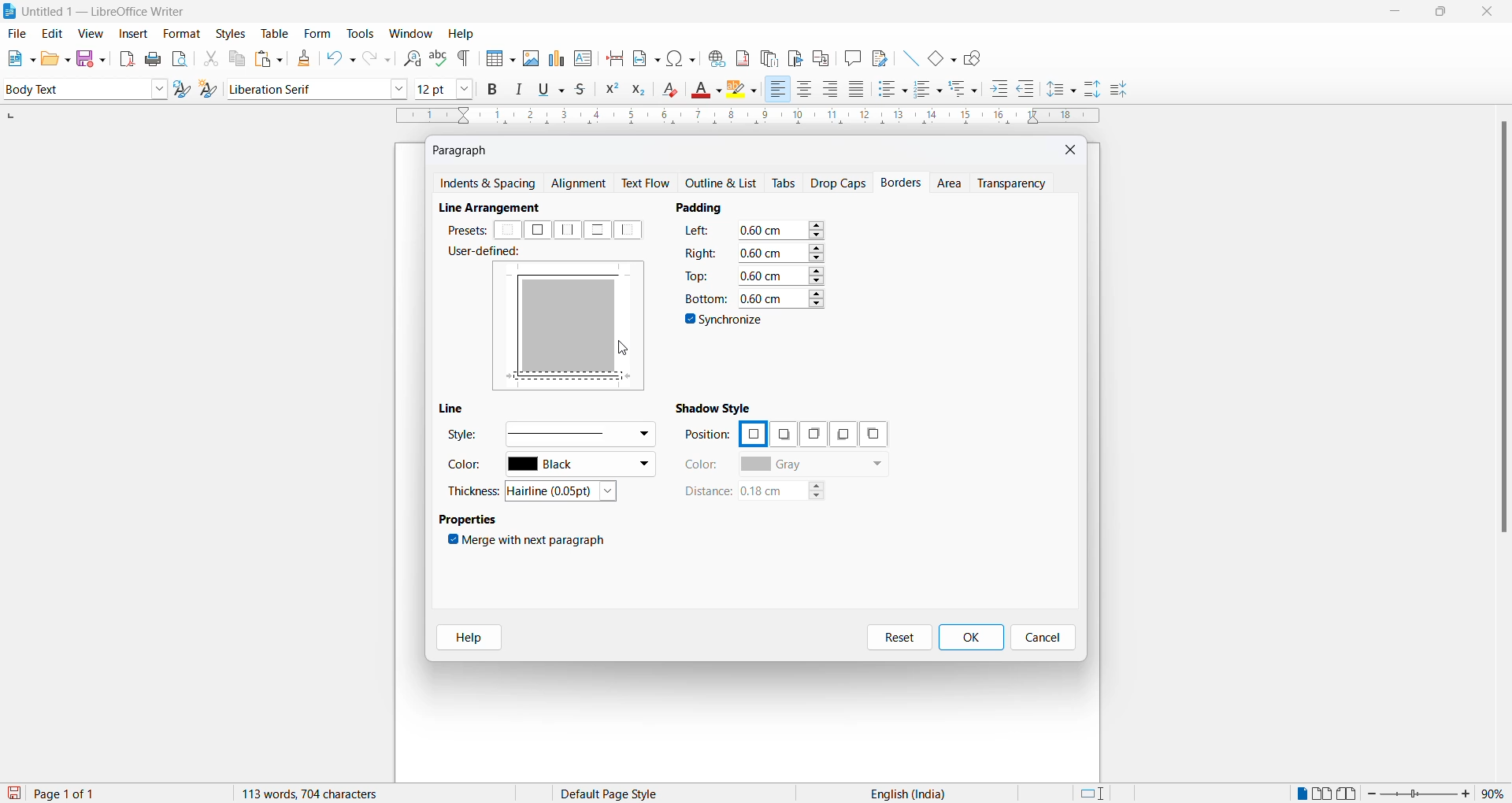  I want to click on table, so click(275, 33).